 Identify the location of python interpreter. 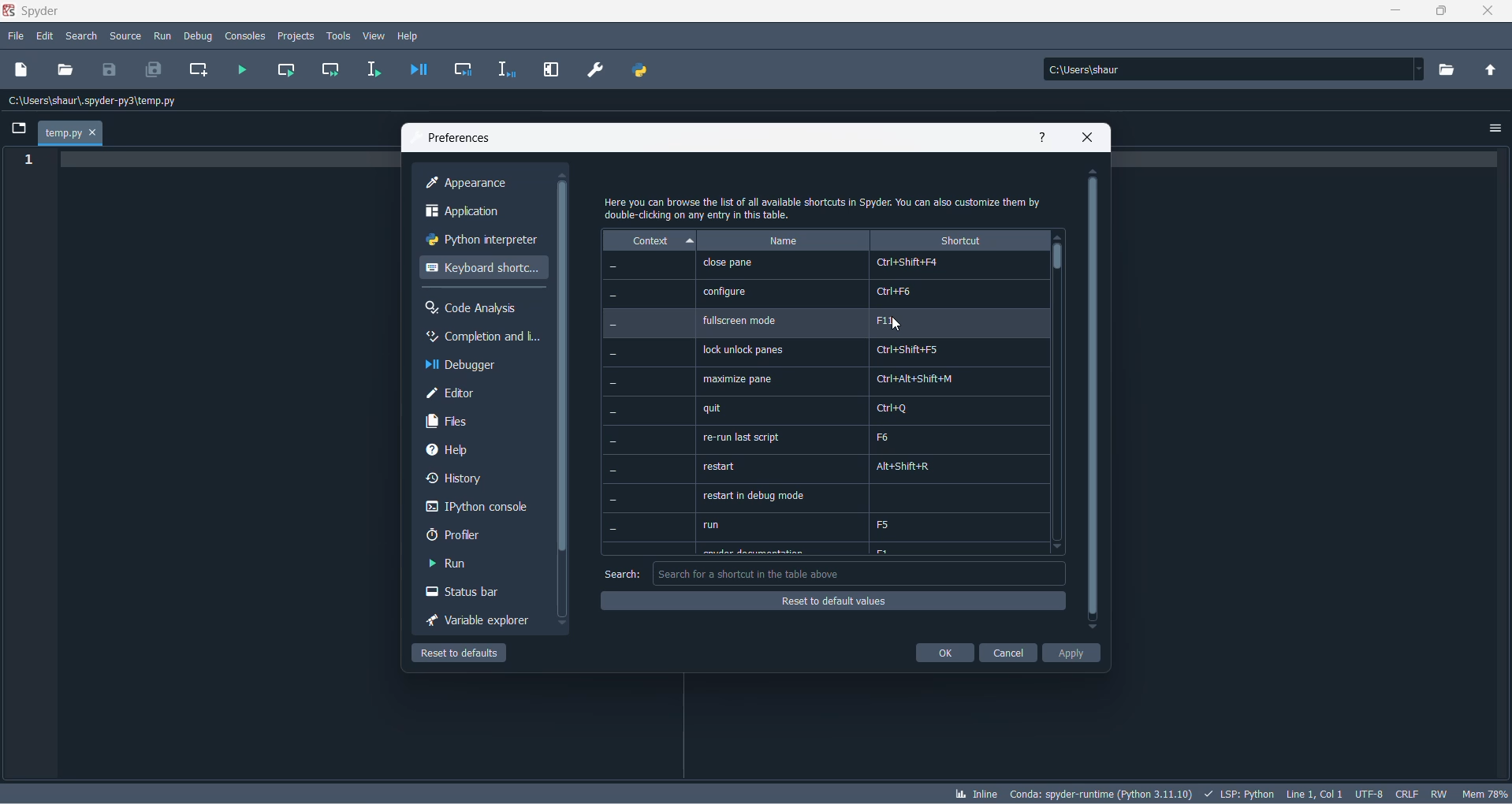
(481, 242).